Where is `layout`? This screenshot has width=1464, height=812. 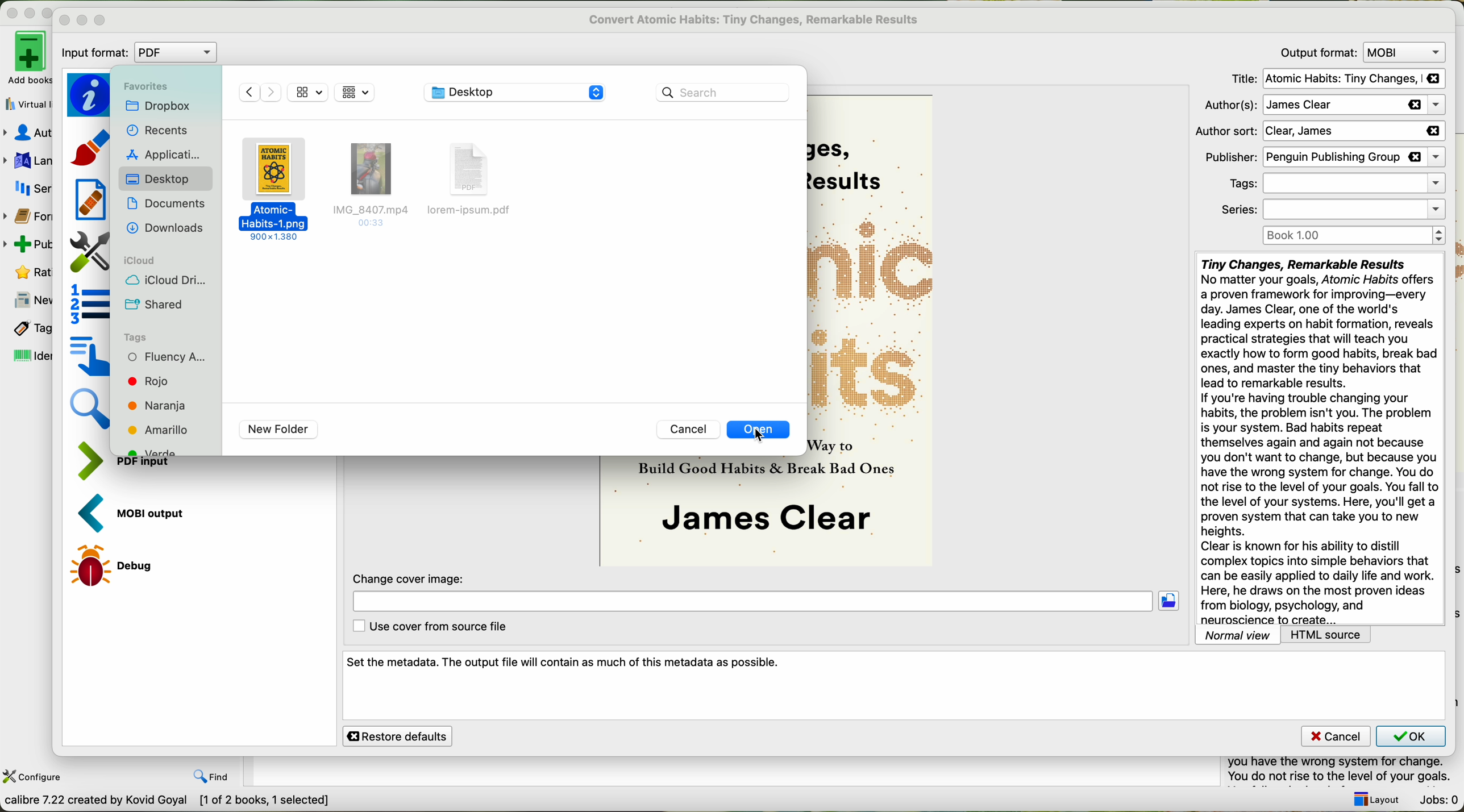 layout is located at coordinates (1373, 799).